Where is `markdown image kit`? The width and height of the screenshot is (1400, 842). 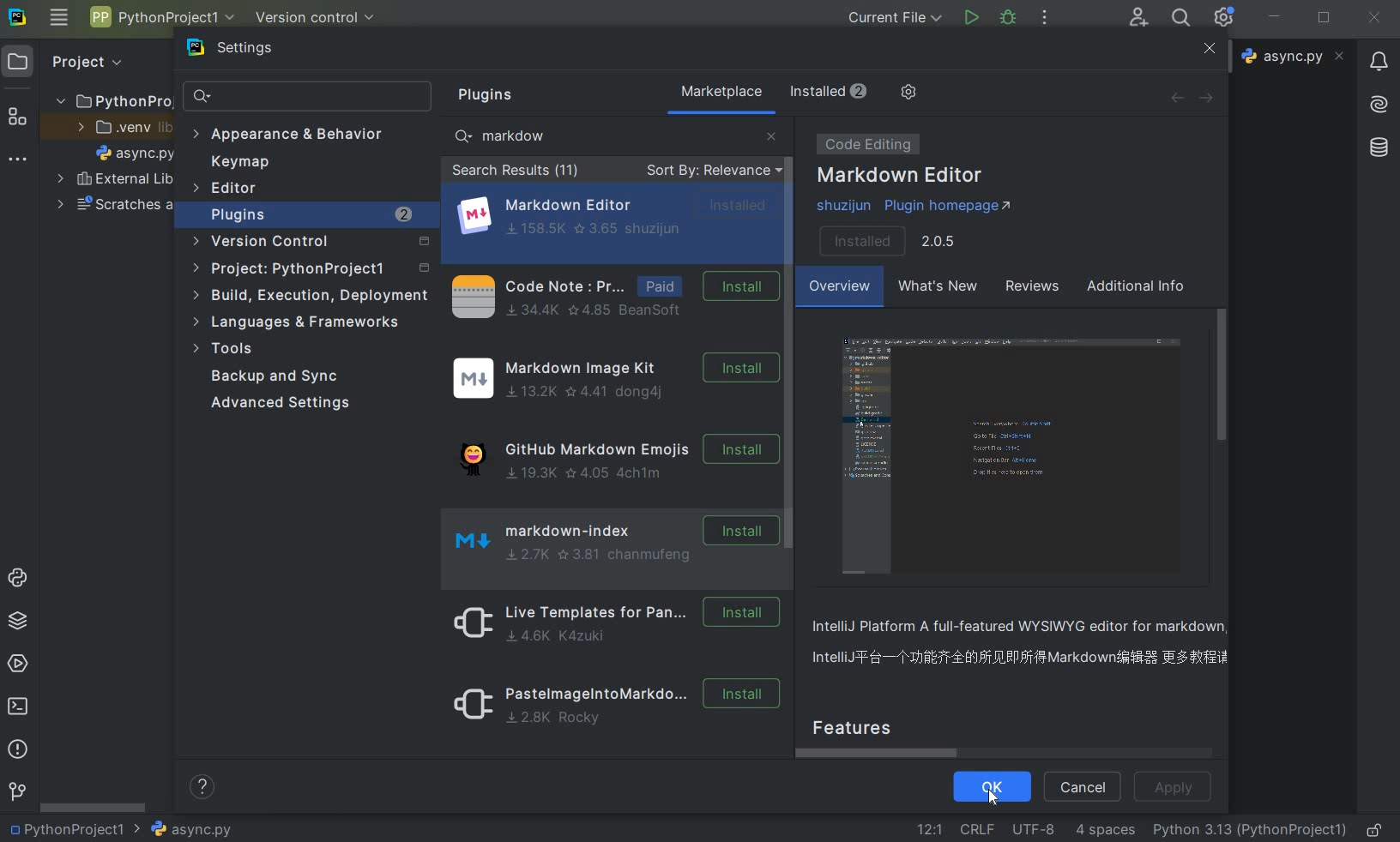
markdown image kit is located at coordinates (613, 379).